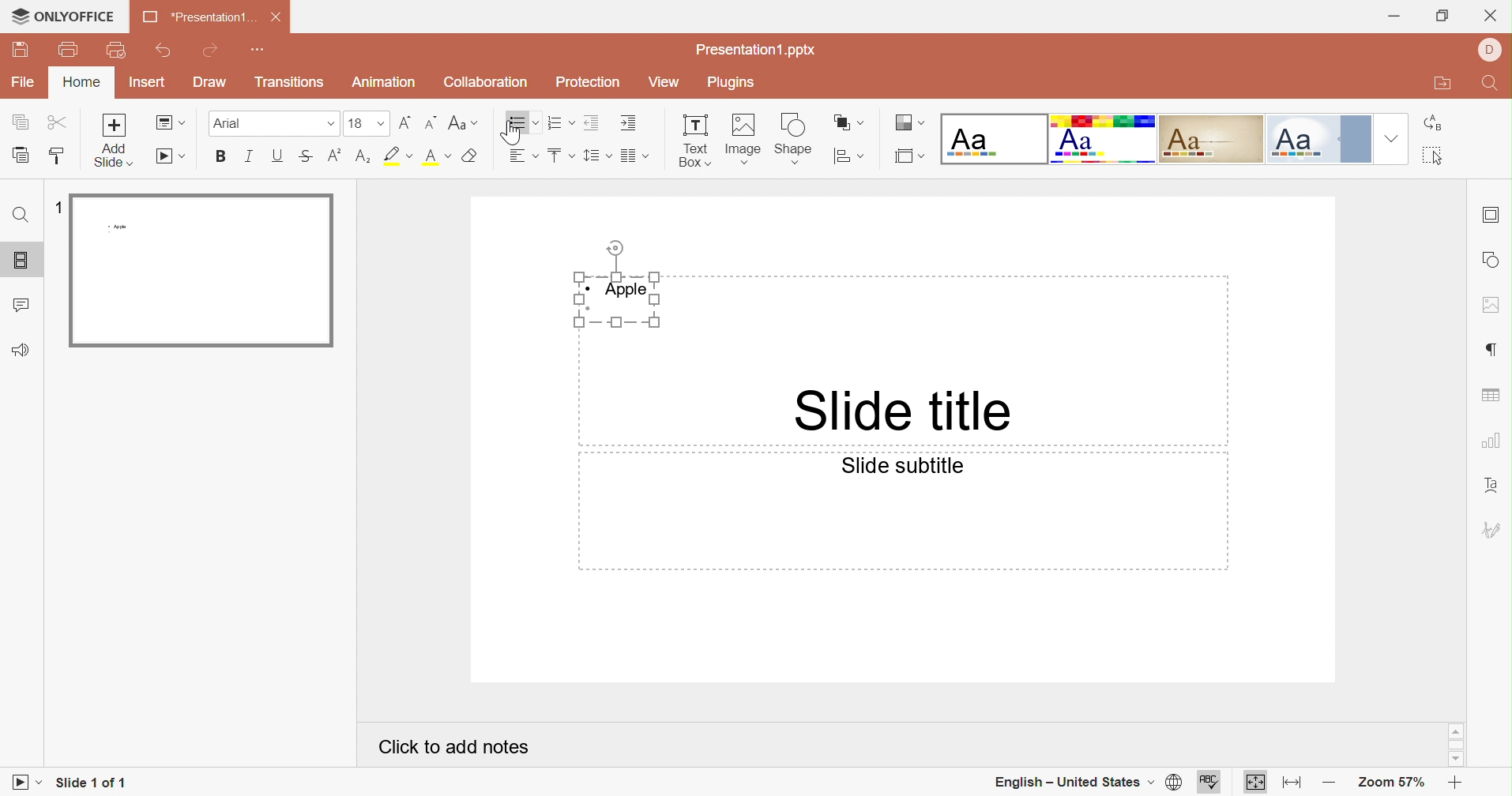 The height and width of the screenshot is (796, 1512). Describe the element at coordinates (662, 80) in the screenshot. I see `View` at that location.